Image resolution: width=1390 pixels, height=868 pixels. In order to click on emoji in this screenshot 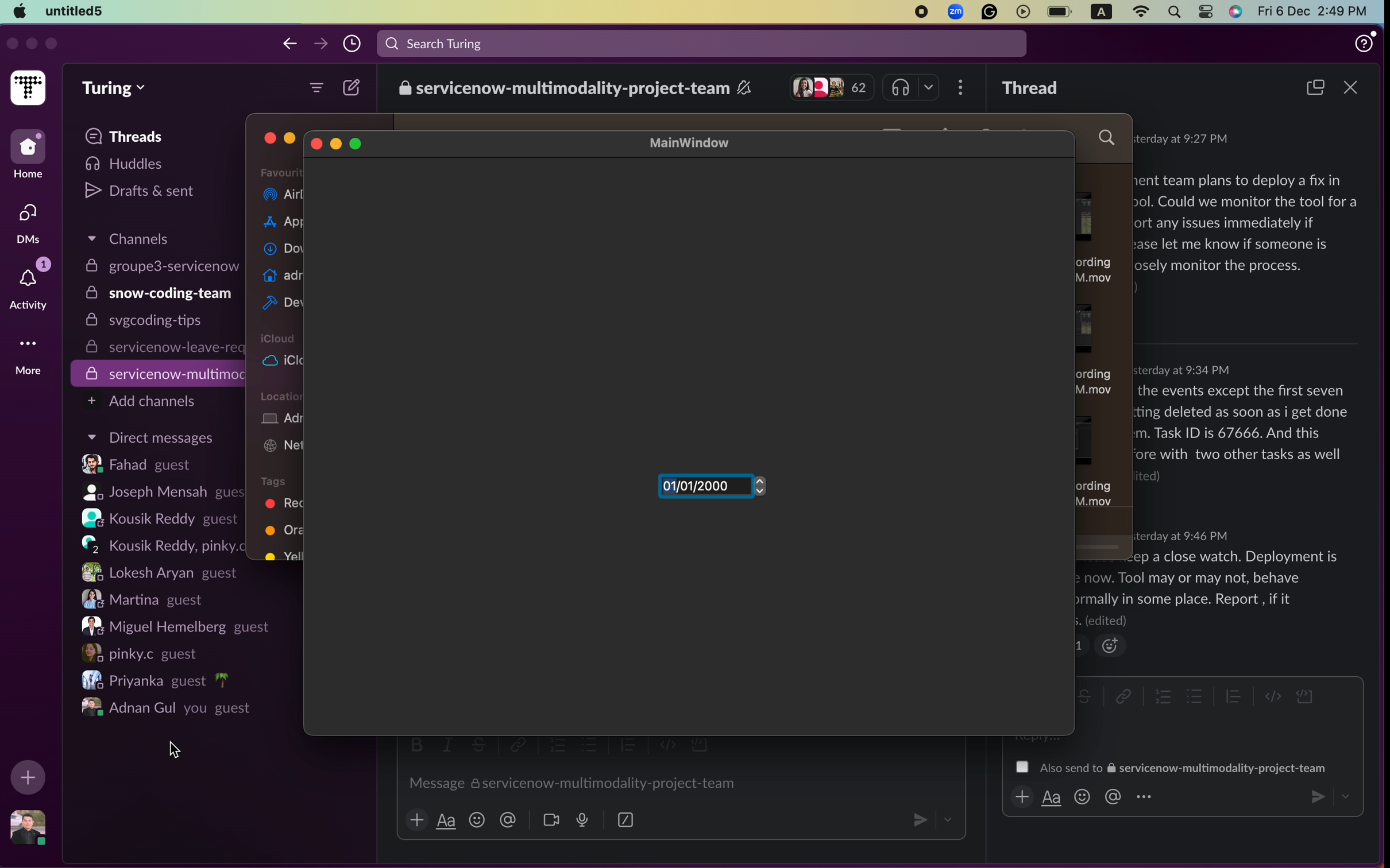, I will do `click(478, 820)`.